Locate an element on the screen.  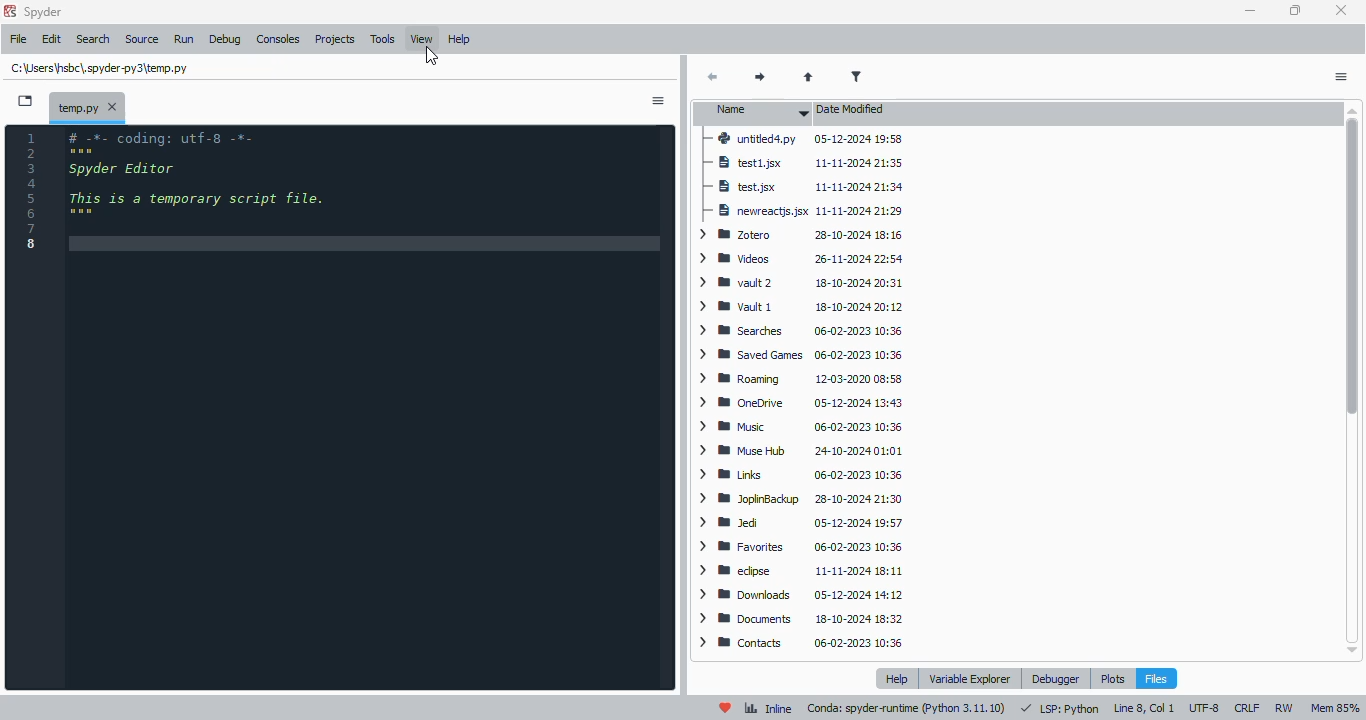
projects is located at coordinates (337, 39).